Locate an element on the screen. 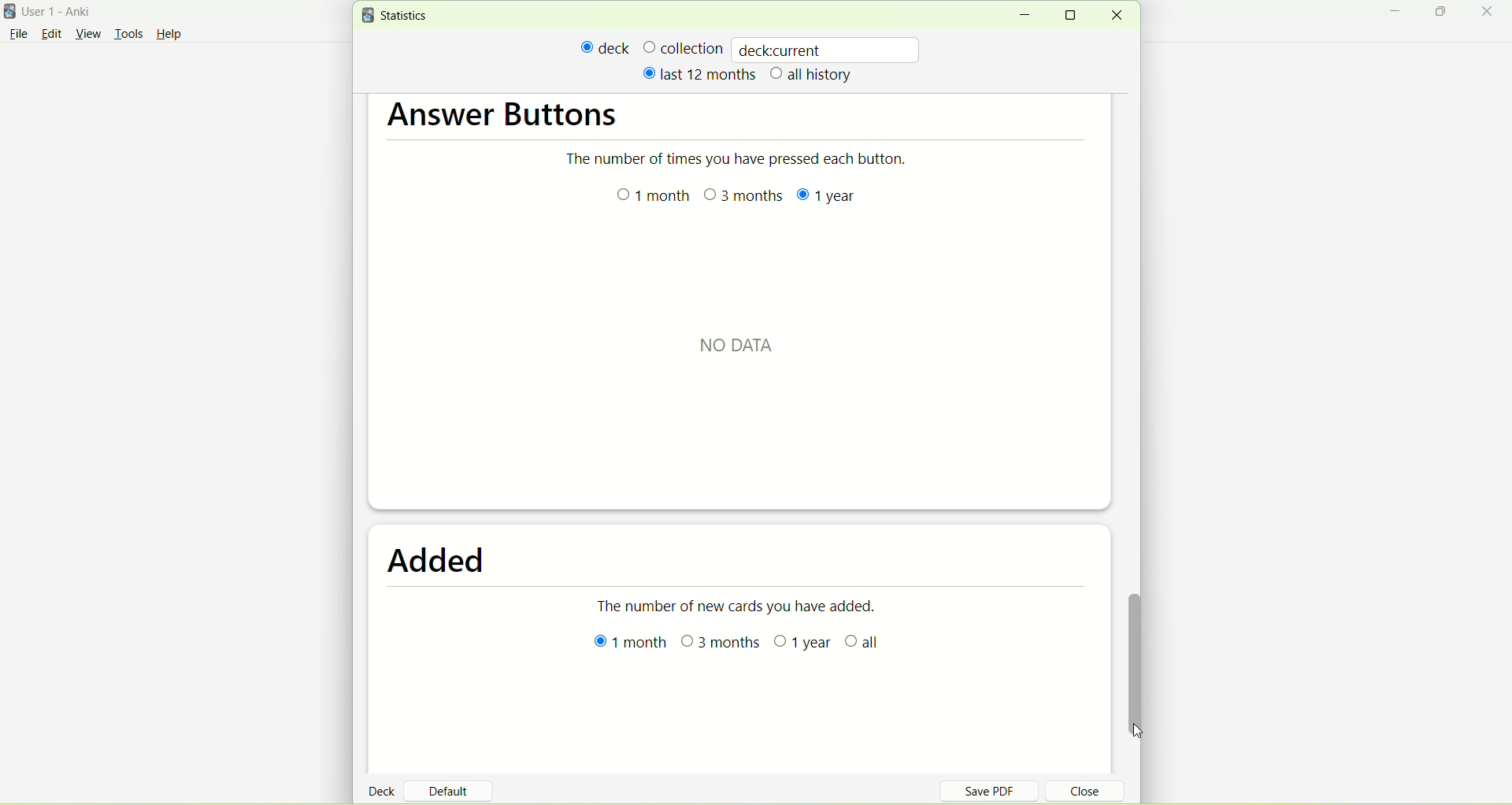  all history is located at coordinates (812, 76).